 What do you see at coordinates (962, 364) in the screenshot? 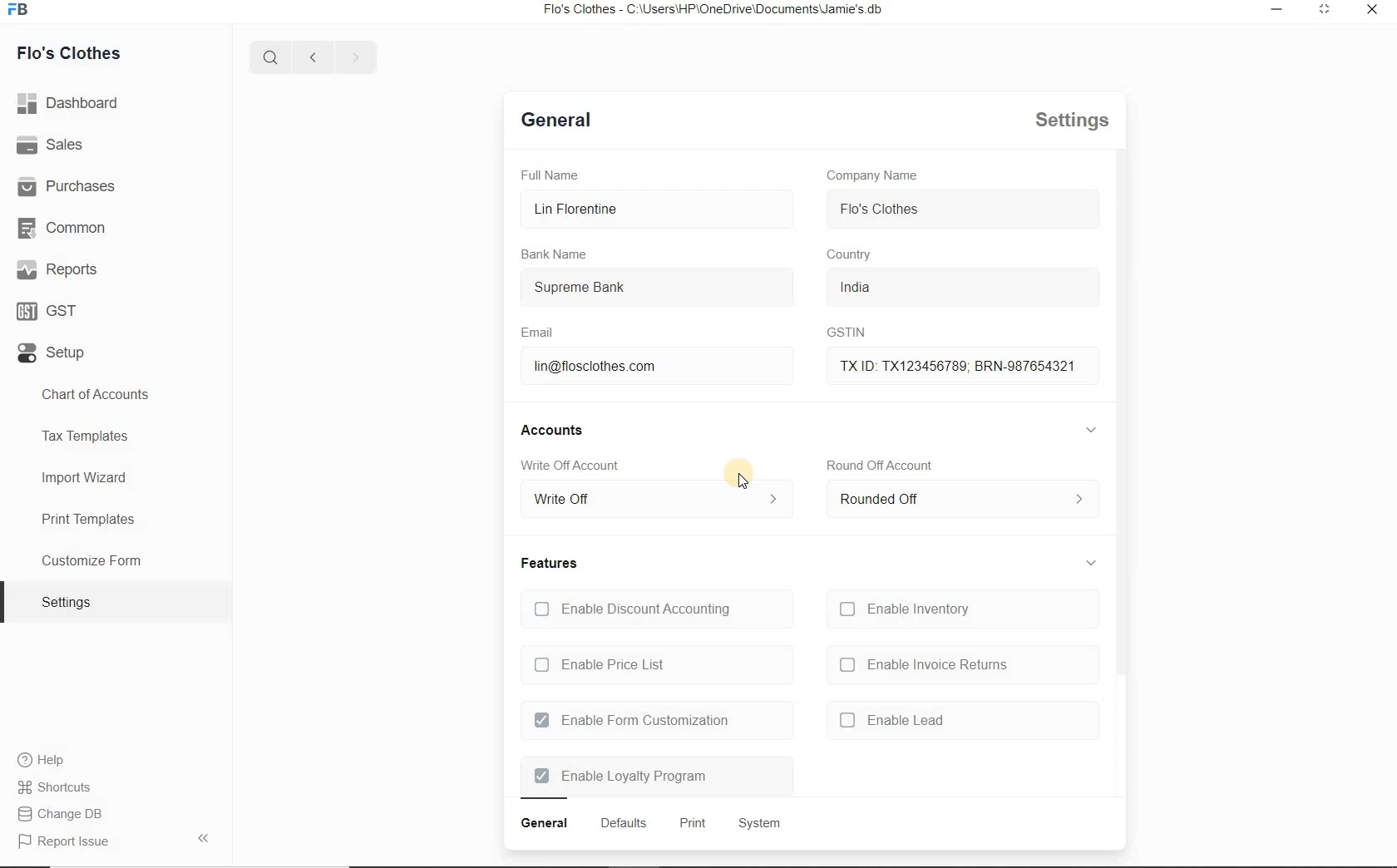
I see `TX ID: TX123456789; BRN-987654321` at bounding box center [962, 364].